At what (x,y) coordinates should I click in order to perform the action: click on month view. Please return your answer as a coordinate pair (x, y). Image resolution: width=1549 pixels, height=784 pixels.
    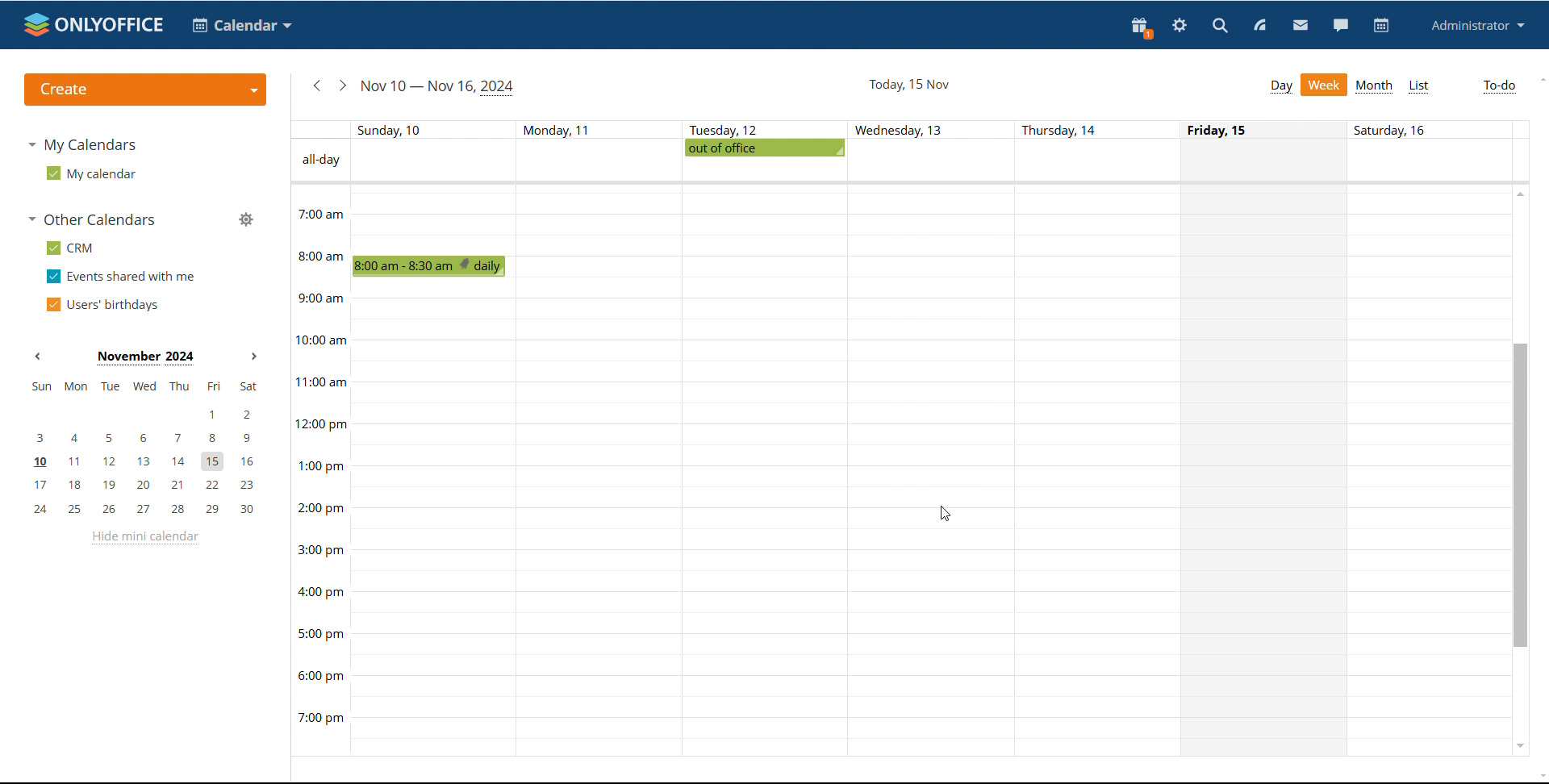
    Looking at the image, I should click on (1375, 87).